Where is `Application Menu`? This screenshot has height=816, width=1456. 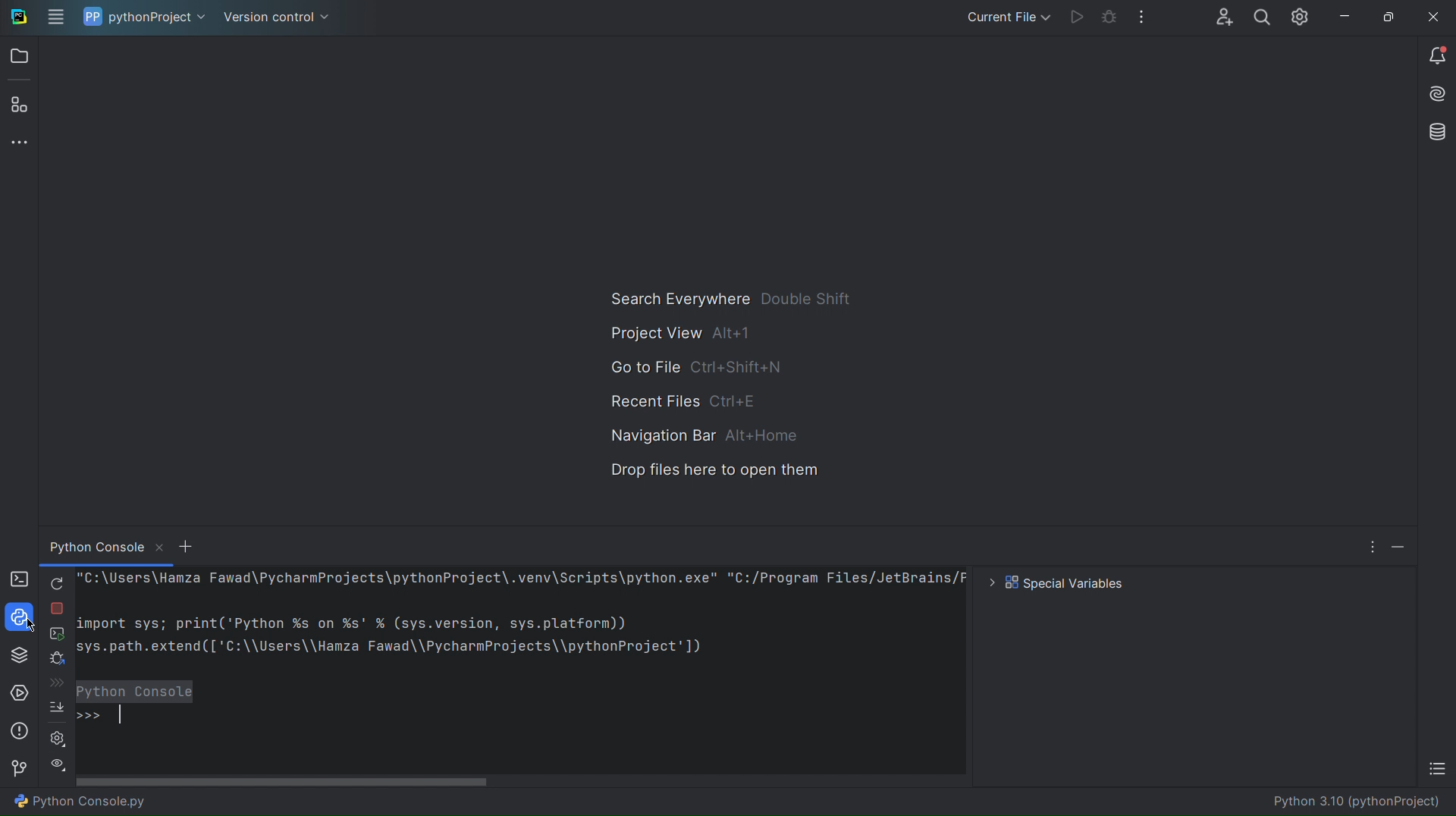 Application Menu is located at coordinates (55, 18).